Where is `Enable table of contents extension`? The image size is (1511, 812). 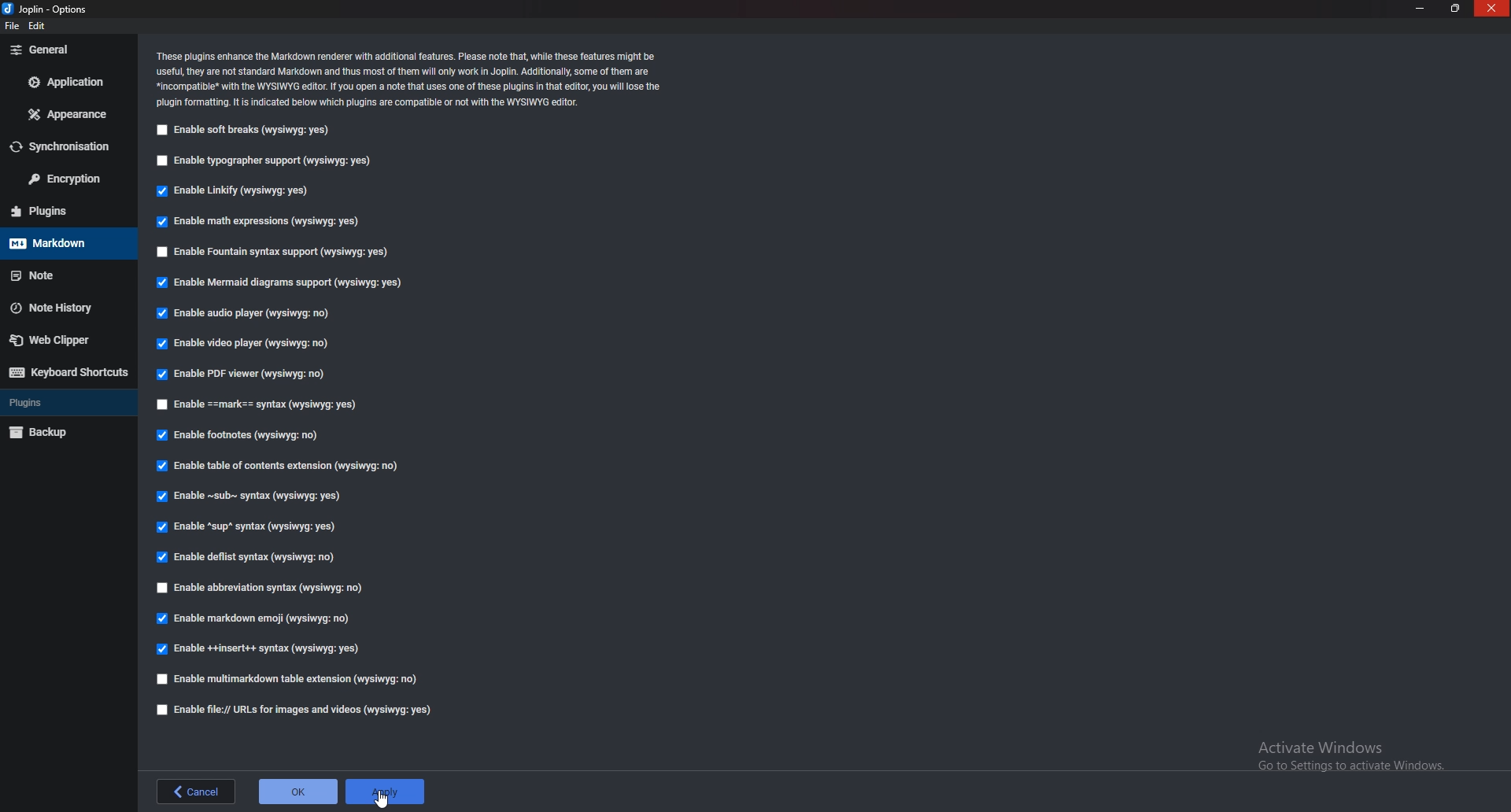
Enable table of contents extension is located at coordinates (283, 467).